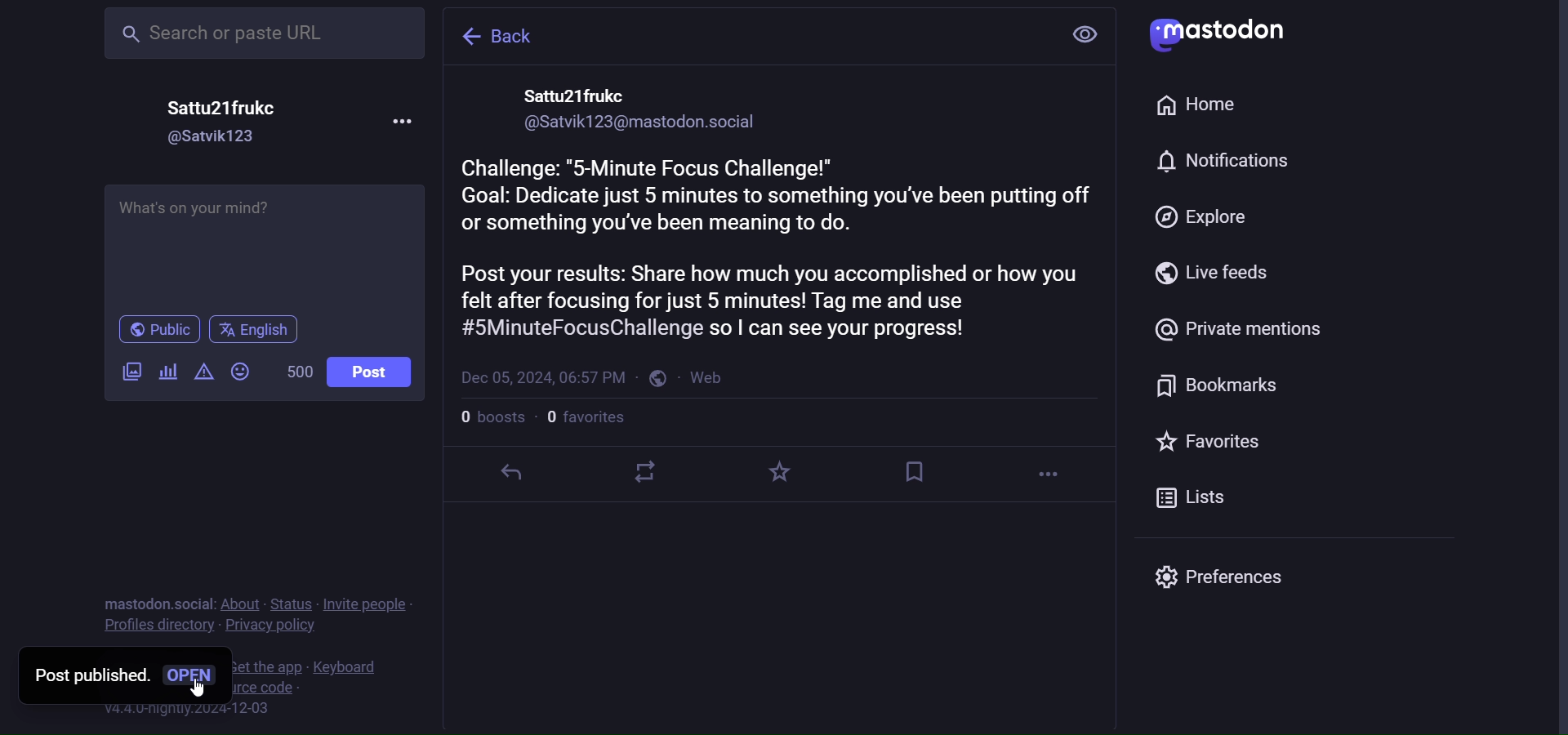  What do you see at coordinates (372, 374) in the screenshot?
I see `post` at bounding box center [372, 374].